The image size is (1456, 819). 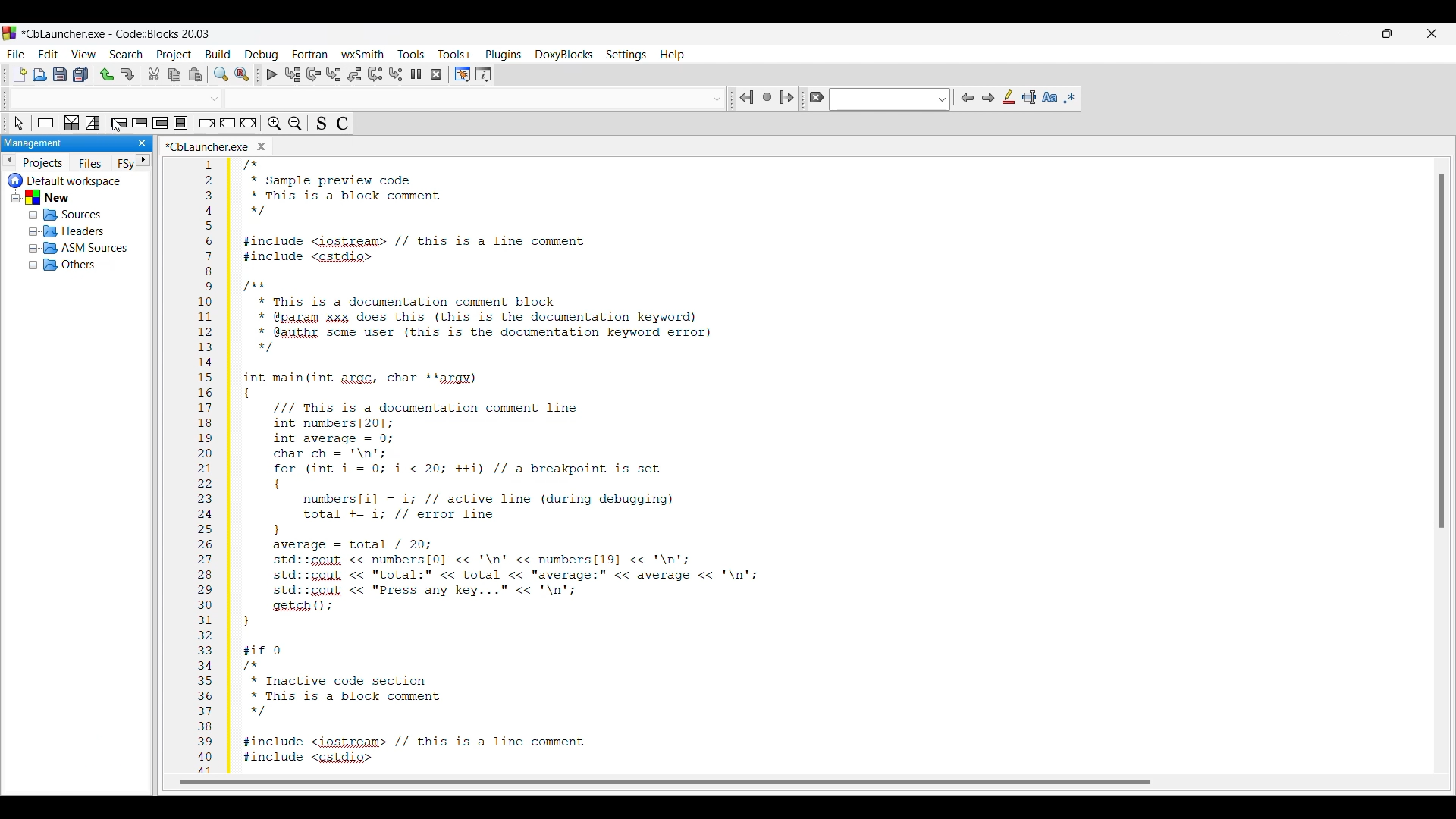 I want to click on Jump forward, so click(x=787, y=97).